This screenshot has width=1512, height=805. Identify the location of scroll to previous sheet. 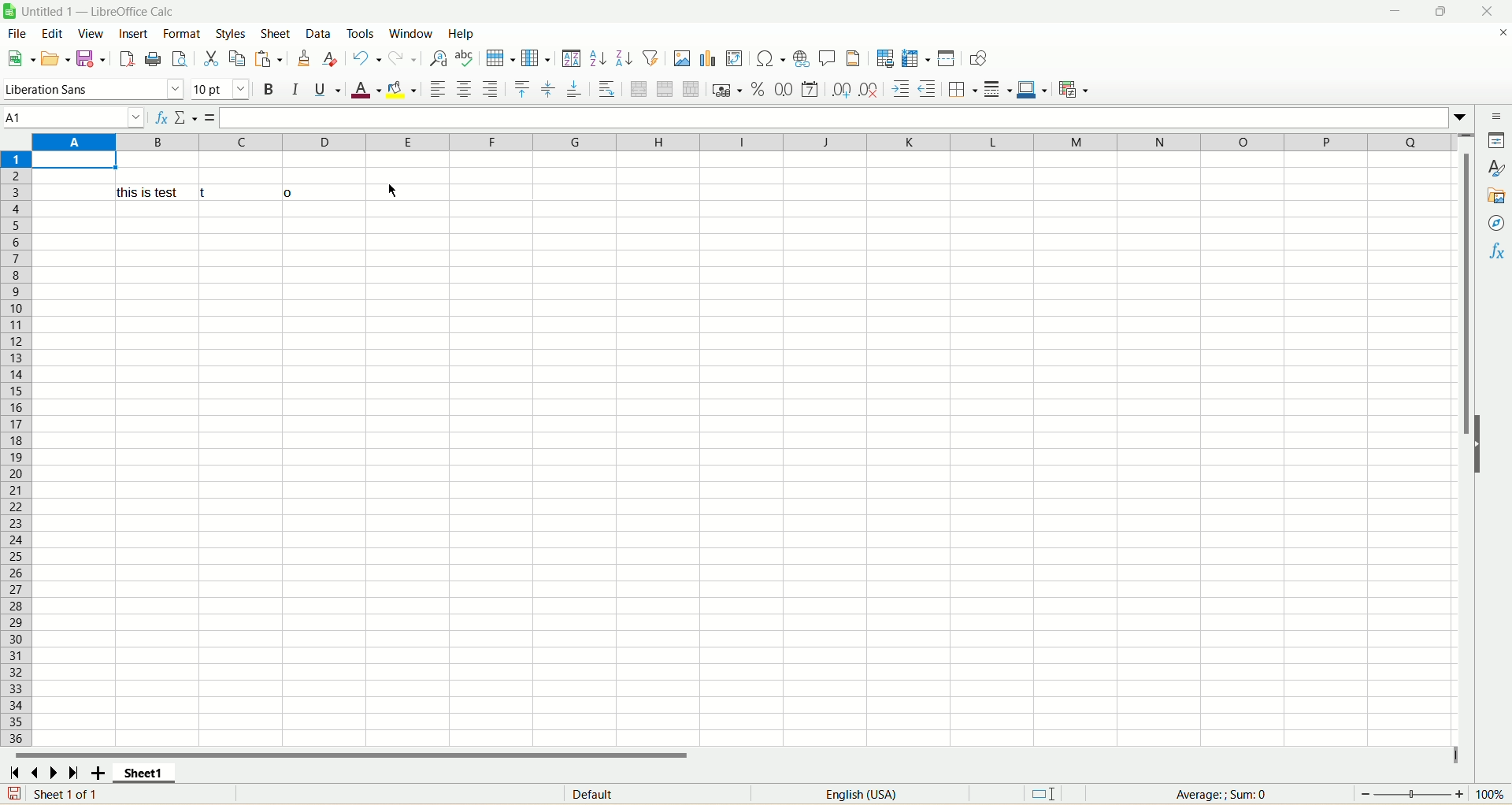
(40, 770).